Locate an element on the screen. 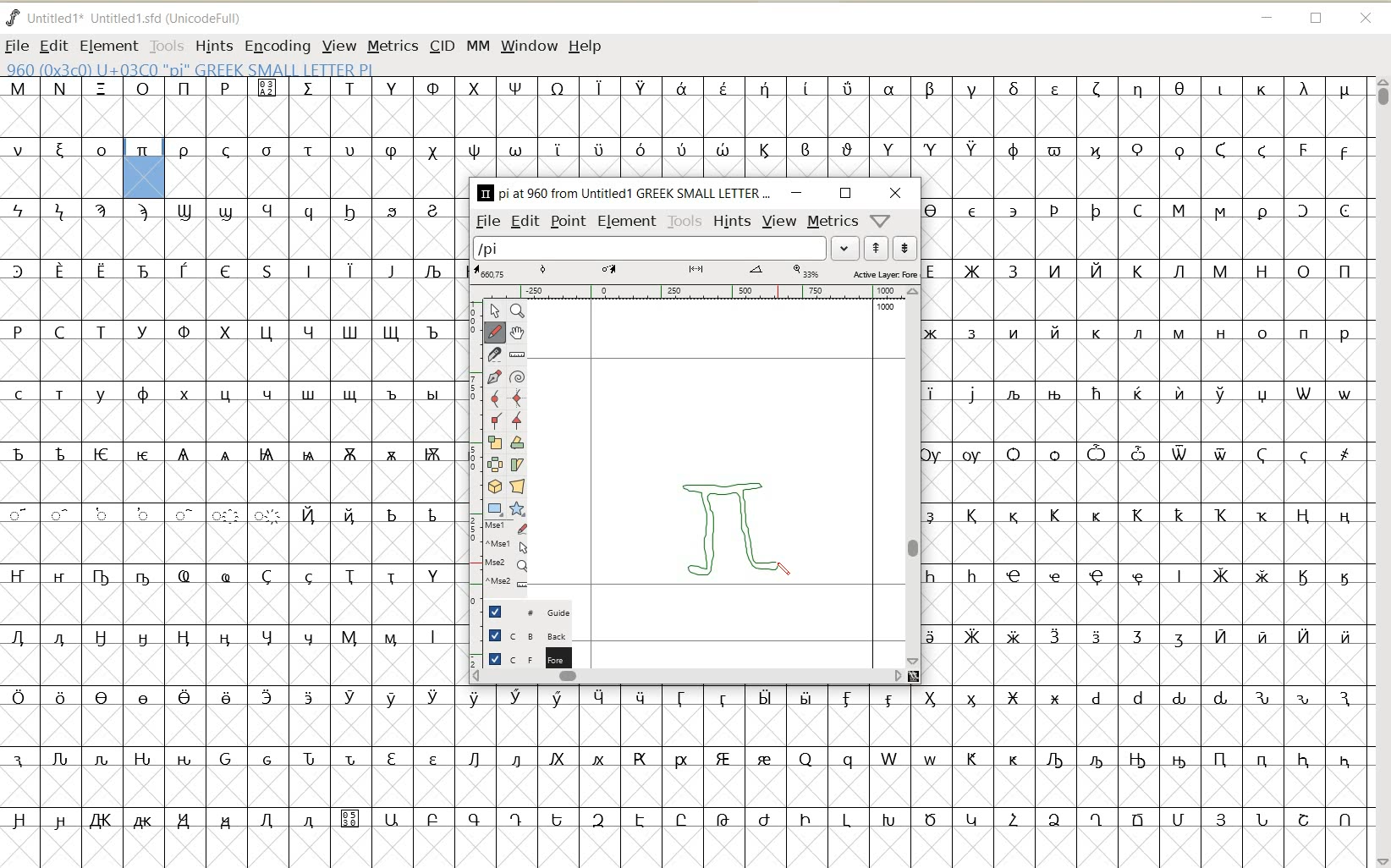 Image resolution: width=1391 pixels, height=868 pixels. FILE is located at coordinates (487, 222).